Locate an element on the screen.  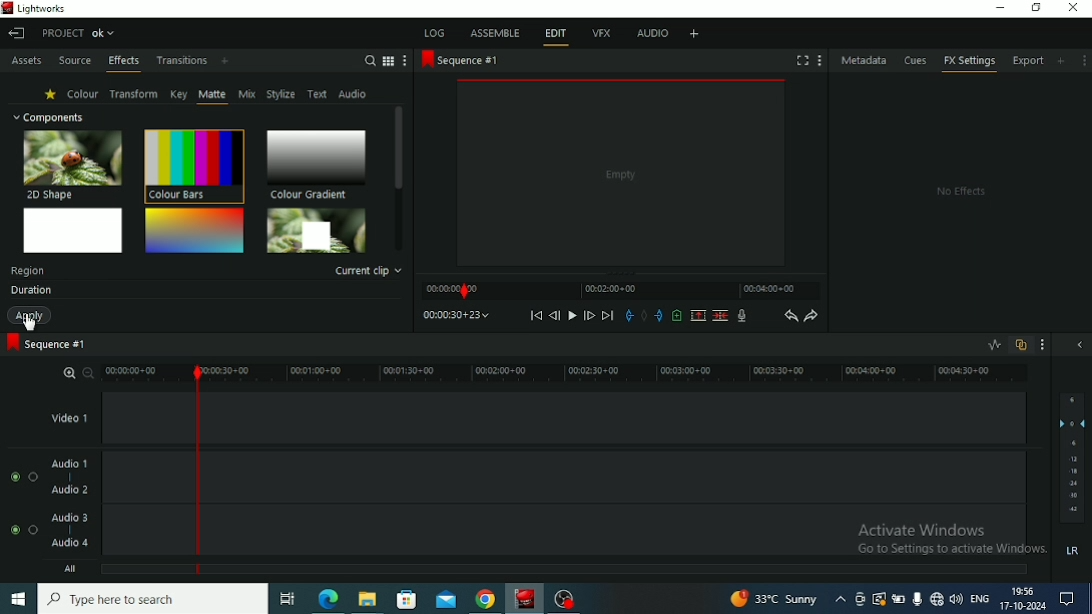
Zoom Out is located at coordinates (89, 372).